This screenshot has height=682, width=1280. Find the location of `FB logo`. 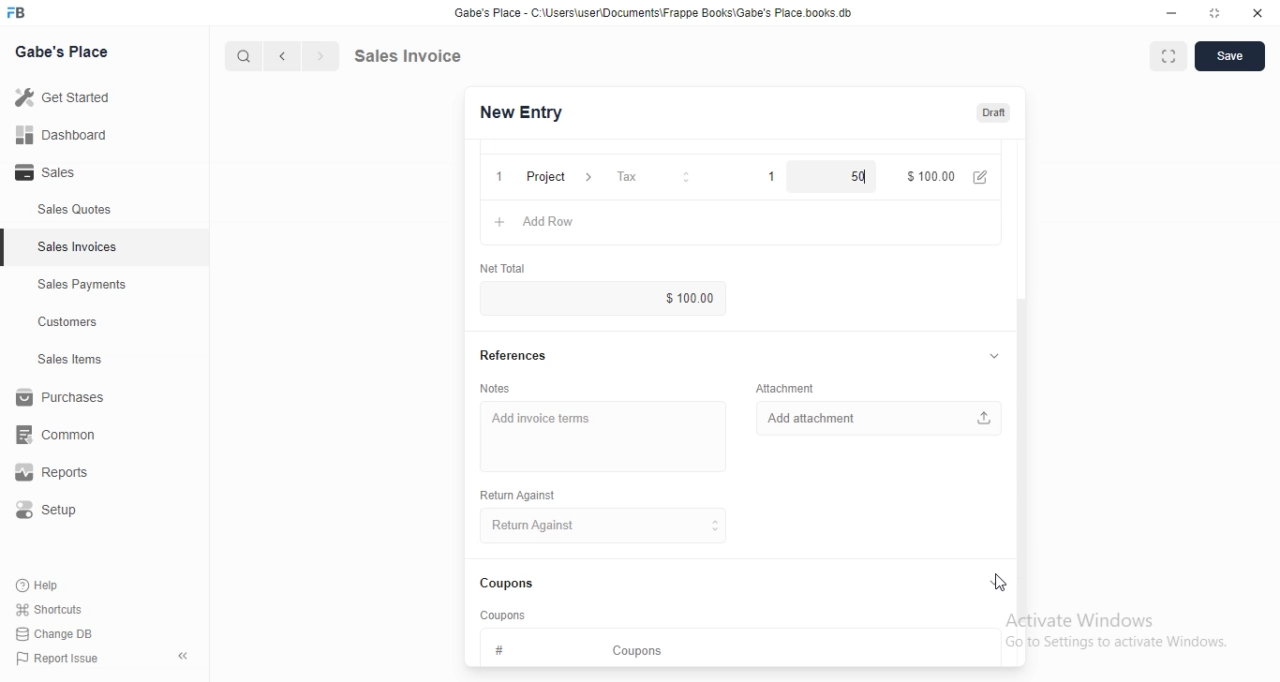

FB logo is located at coordinates (20, 13).